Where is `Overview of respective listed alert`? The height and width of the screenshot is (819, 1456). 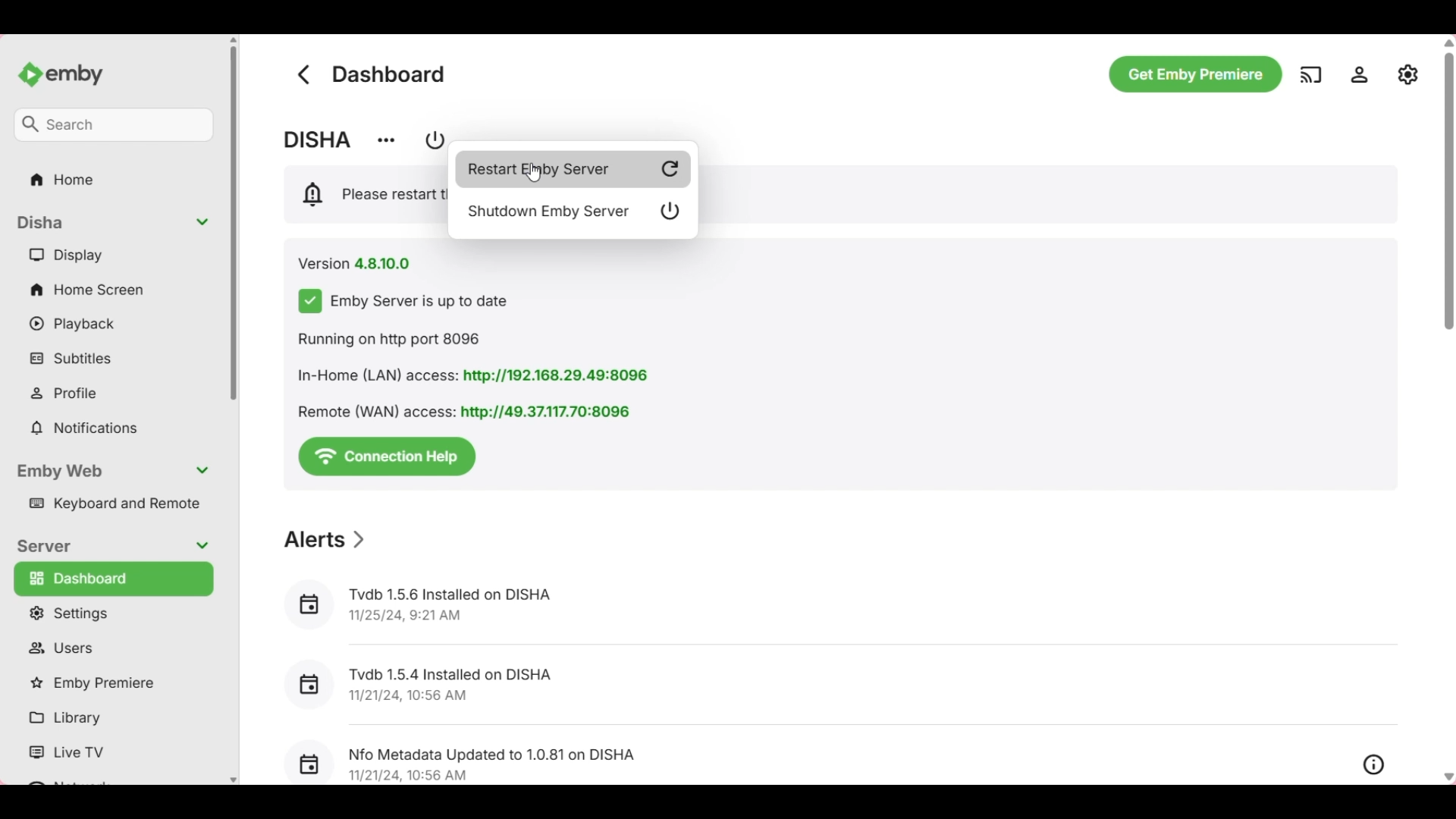 Overview of respective listed alert is located at coordinates (1374, 765).